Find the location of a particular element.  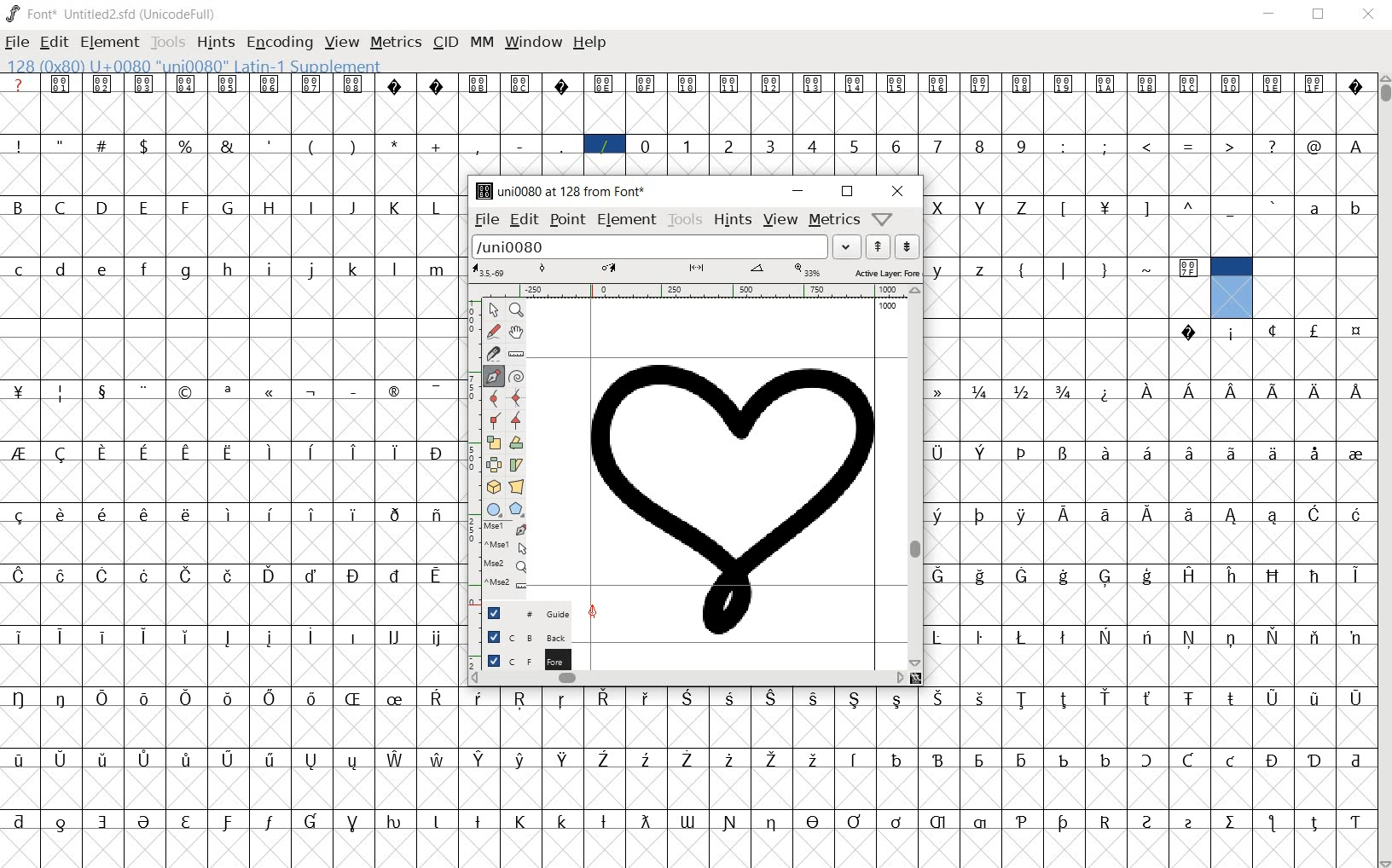

glyph is located at coordinates (353, 576).